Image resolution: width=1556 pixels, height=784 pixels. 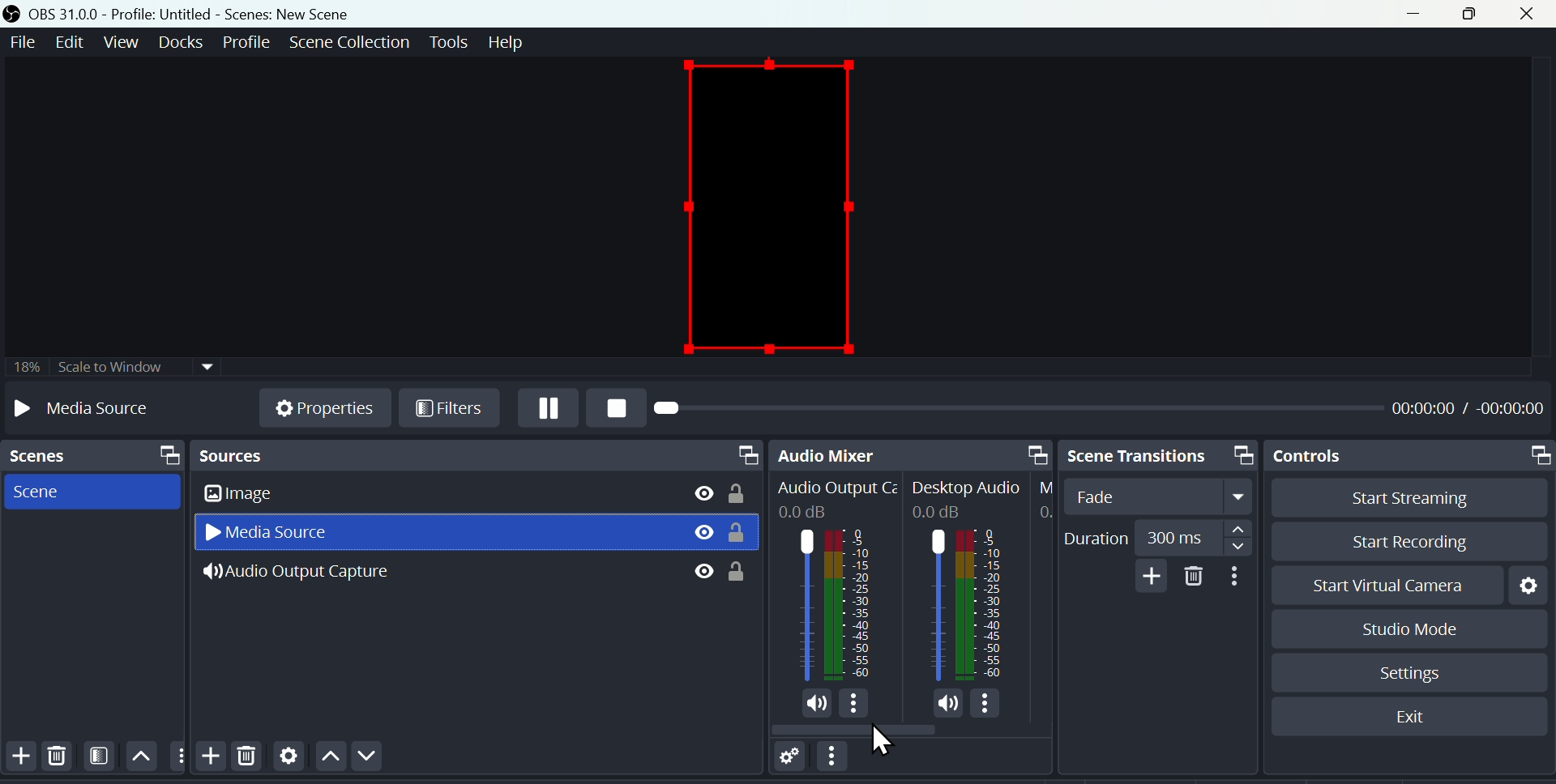 What do you see at coordinates (361, 758) in the screenshot?
I see `Move down` at bounding box center [361, 758].